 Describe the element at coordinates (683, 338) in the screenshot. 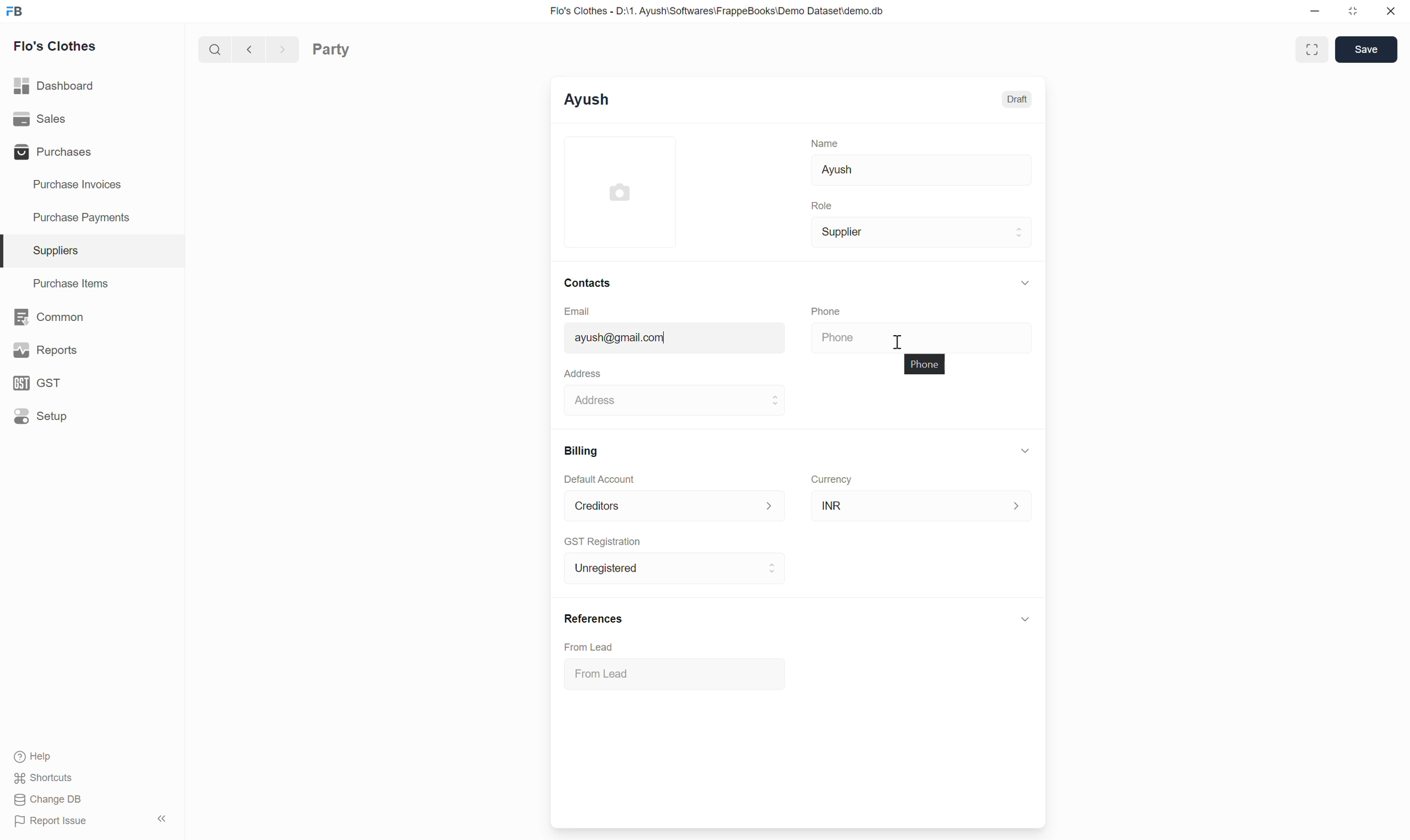

I see `john@doe.com` at that location.